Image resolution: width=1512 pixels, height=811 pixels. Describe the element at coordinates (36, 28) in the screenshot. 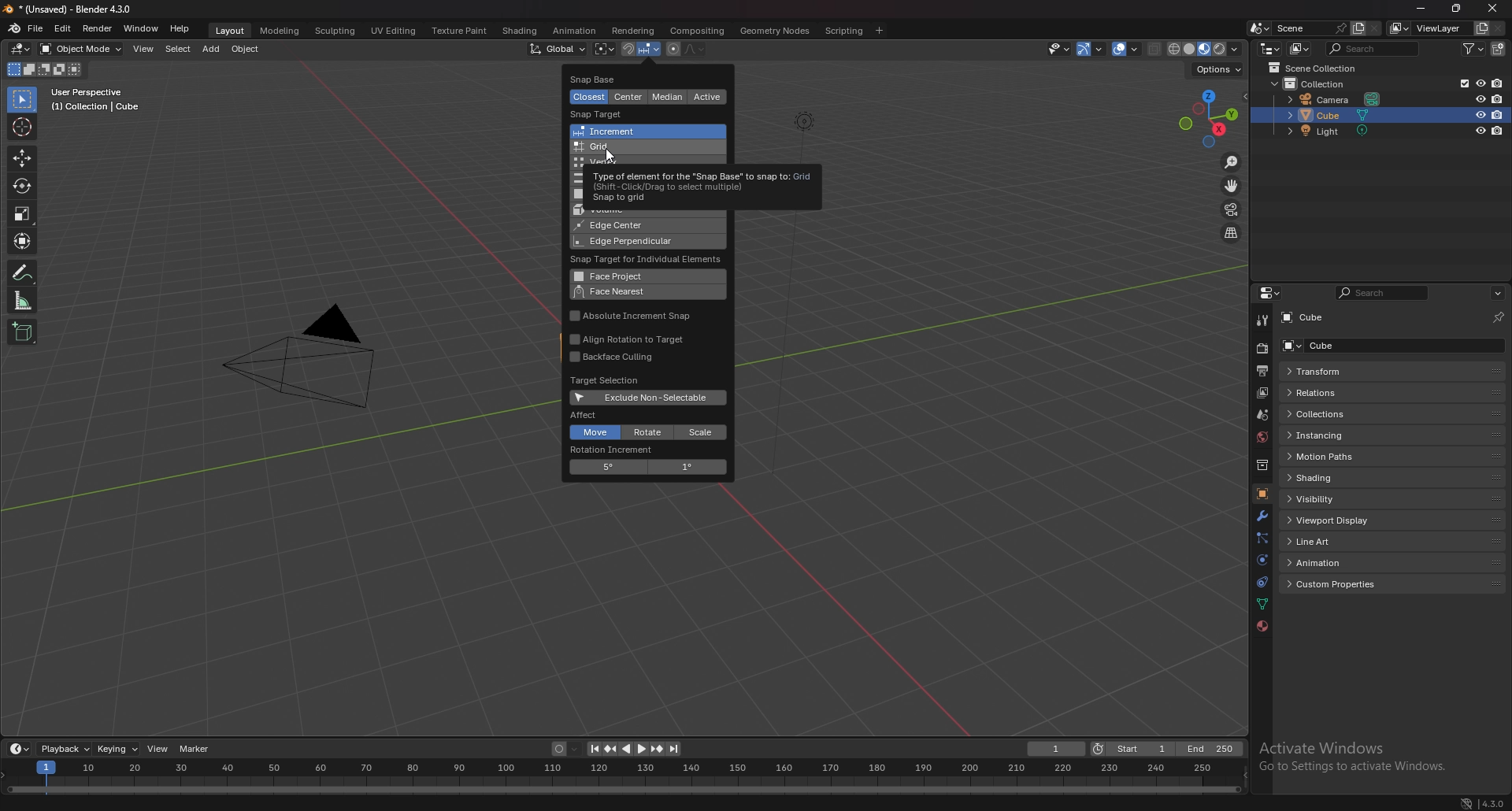

I see `file` at that location.